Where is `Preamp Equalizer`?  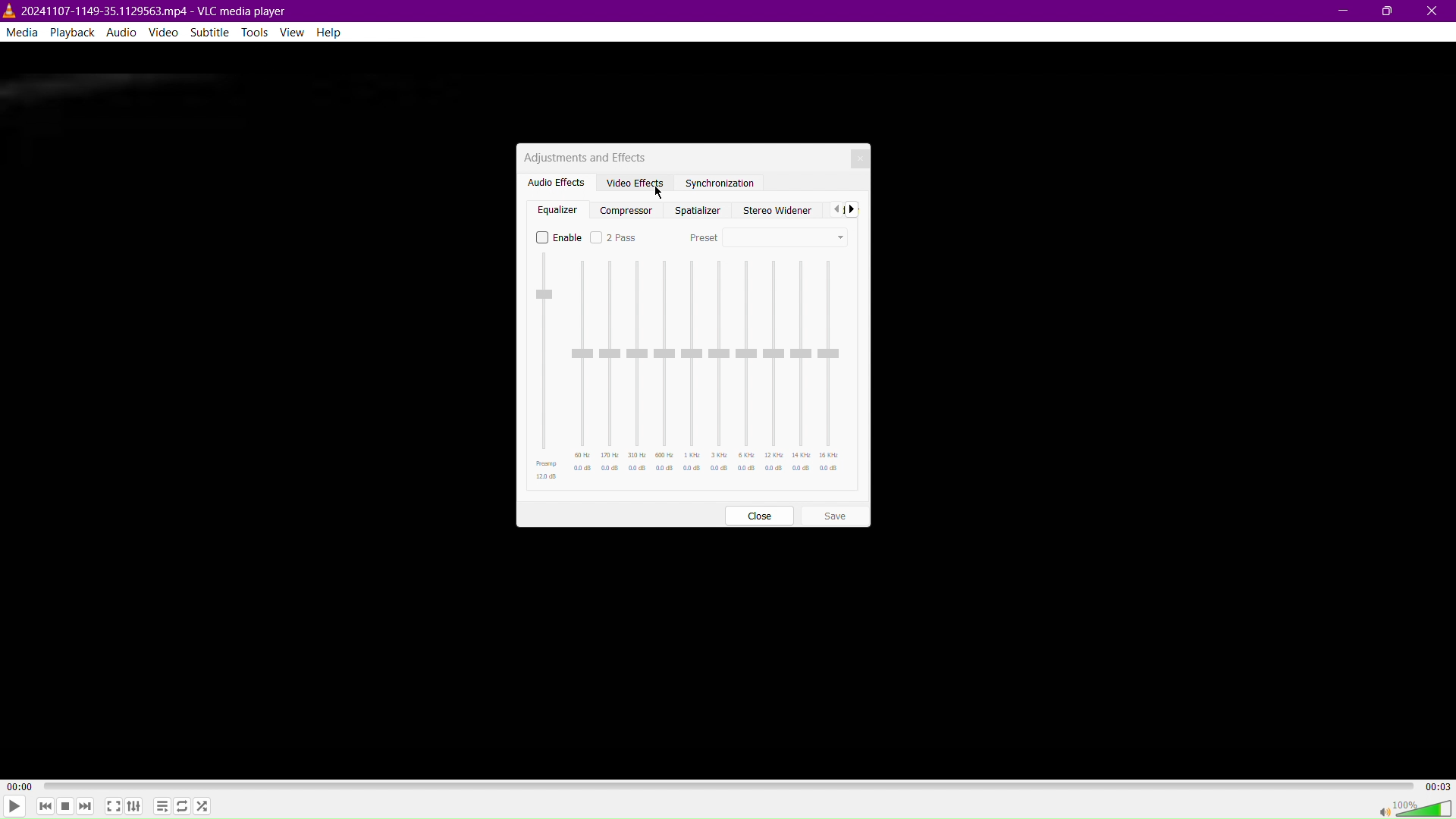
Preamp Equalizer is located at coordinates (548, 366).